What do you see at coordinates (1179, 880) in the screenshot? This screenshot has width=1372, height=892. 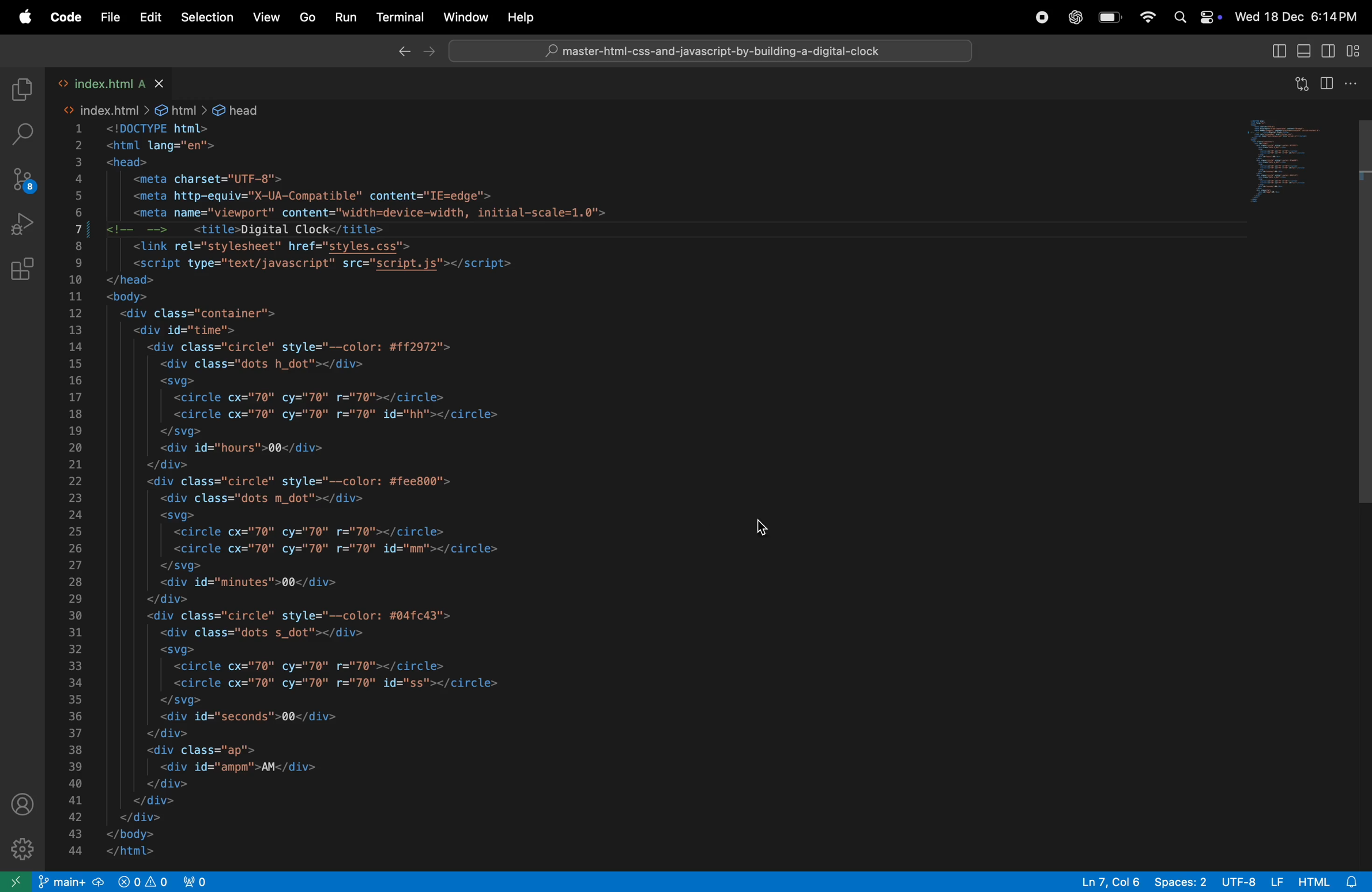 I see `spaces -2` at bounding box center [1179, 880].